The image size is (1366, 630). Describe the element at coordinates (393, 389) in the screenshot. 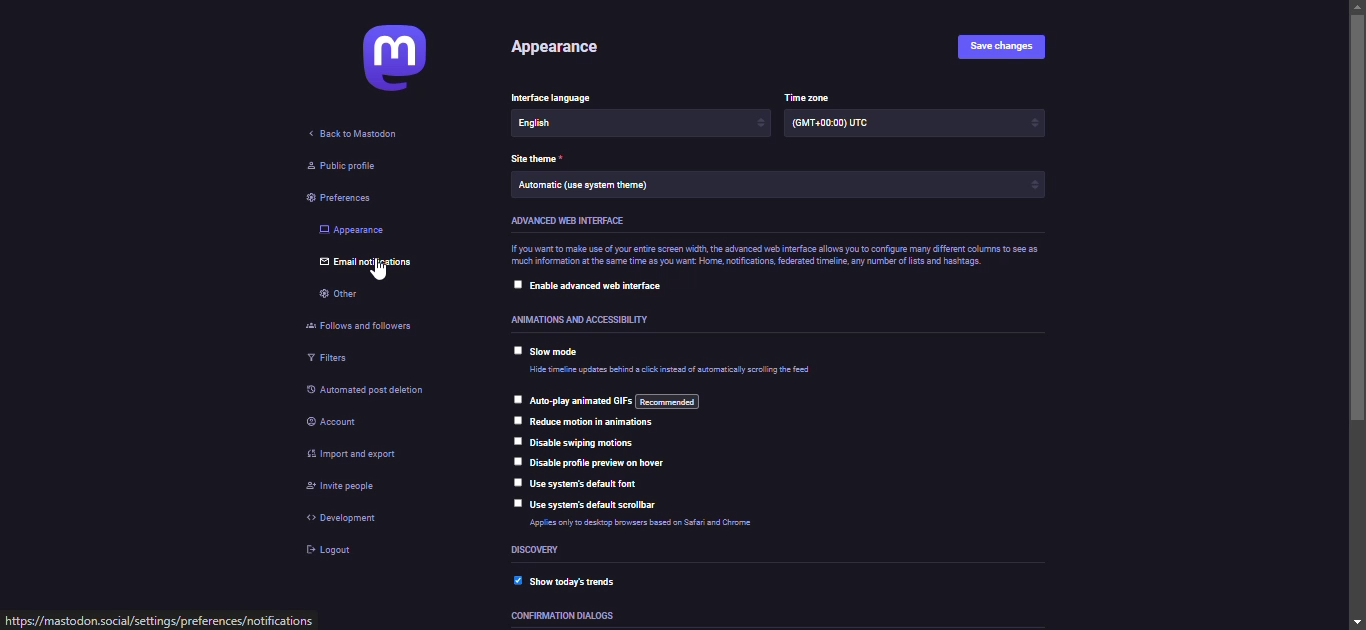

I see `automated post deletion` at that location.